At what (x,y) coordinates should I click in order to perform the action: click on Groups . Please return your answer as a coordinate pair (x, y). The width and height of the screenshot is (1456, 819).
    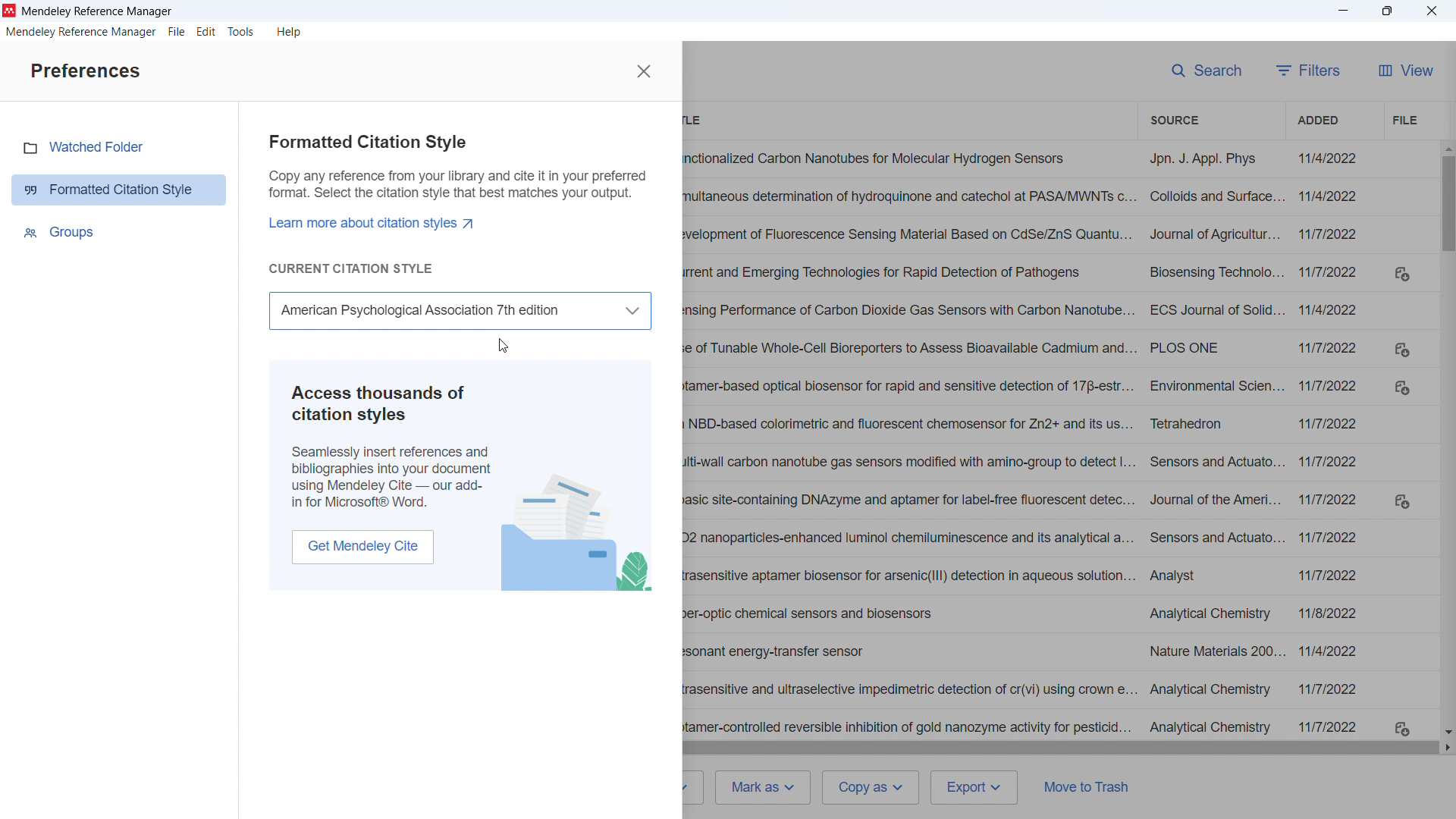
    Looking at the image, I should click on (62, 233).